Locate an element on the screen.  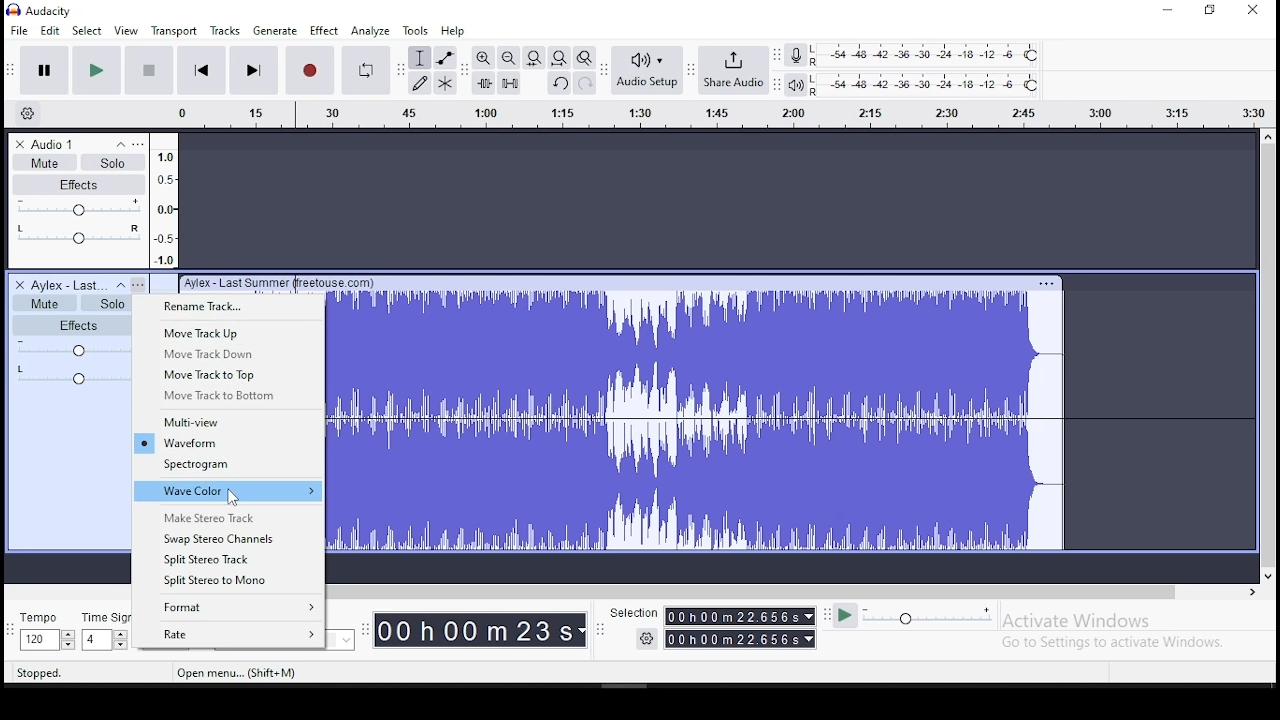
L is located at coordinates (817, 50).